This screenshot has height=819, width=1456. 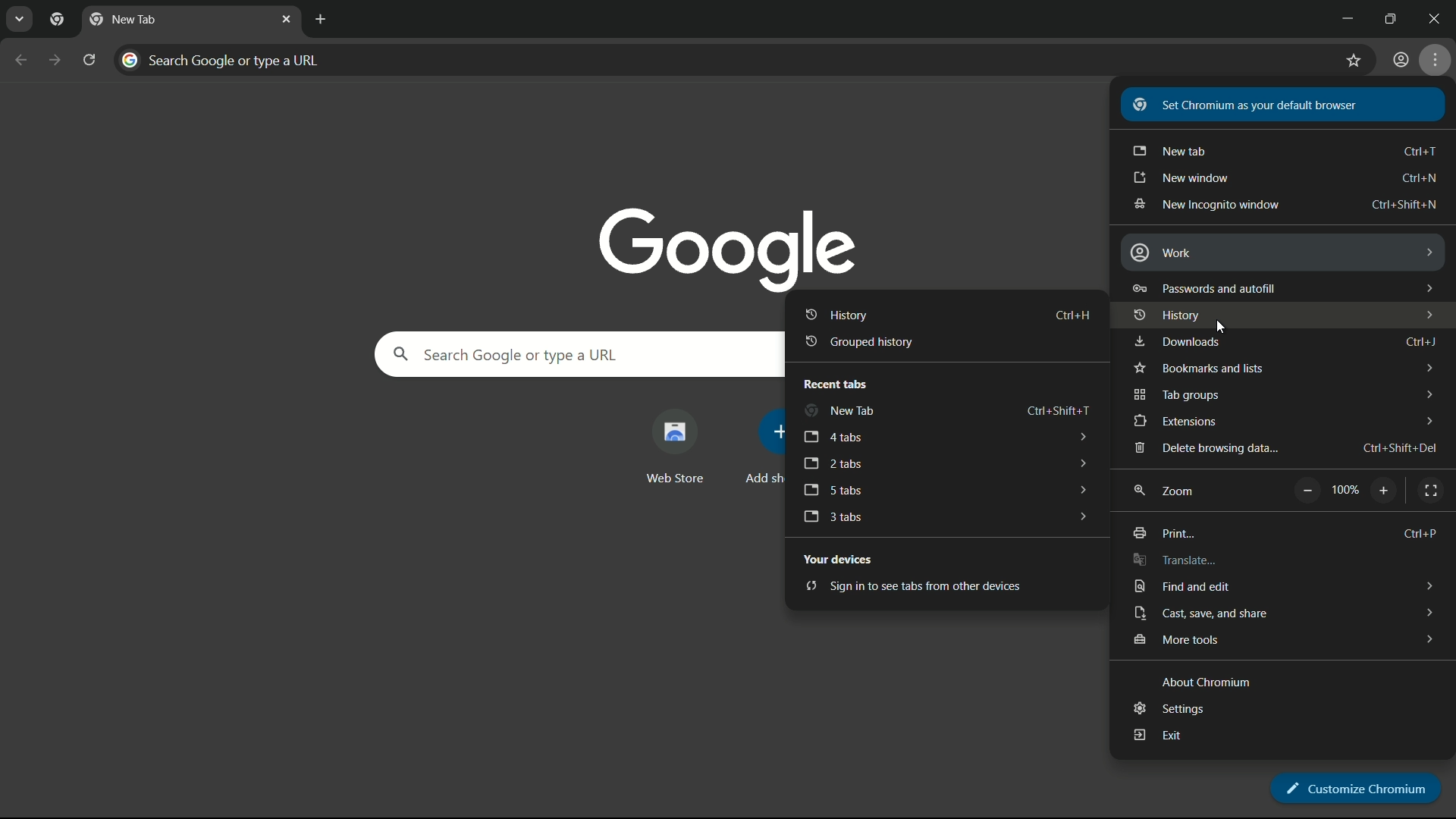 I want to click on zoom out, so click(x=1307, y=492).